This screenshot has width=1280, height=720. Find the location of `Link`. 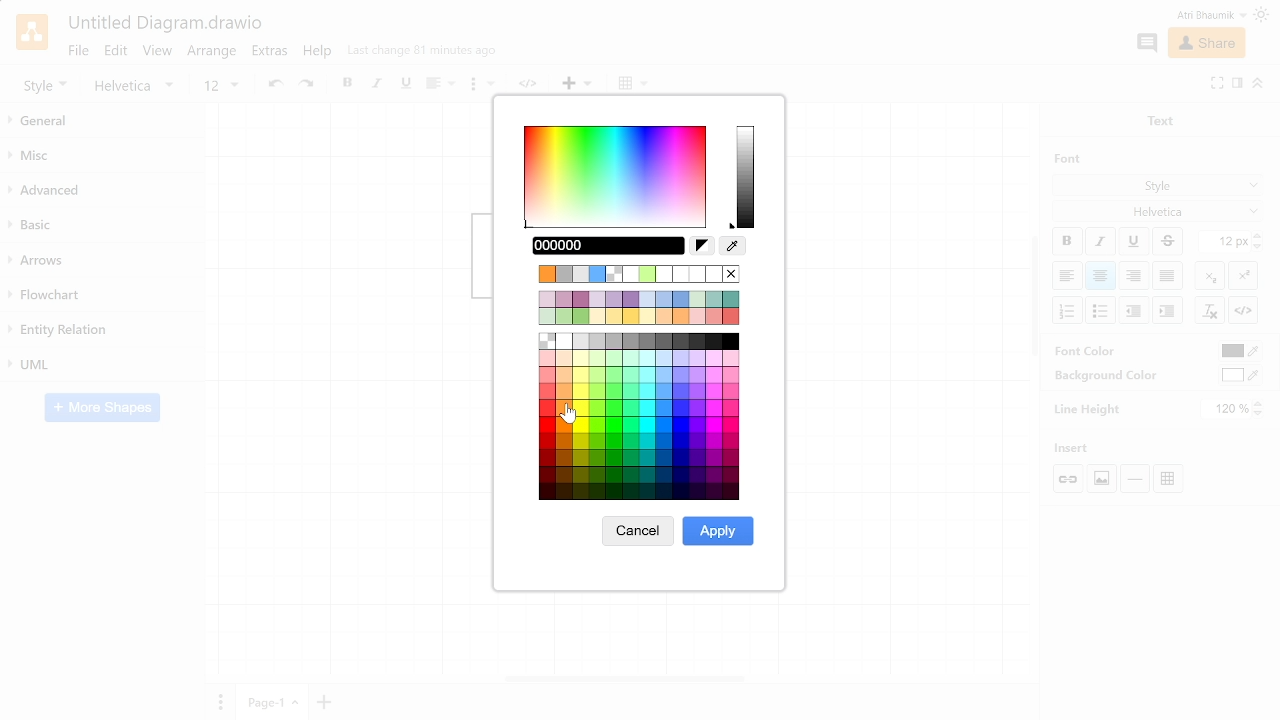

Link is located at coordinates (1070, 479).